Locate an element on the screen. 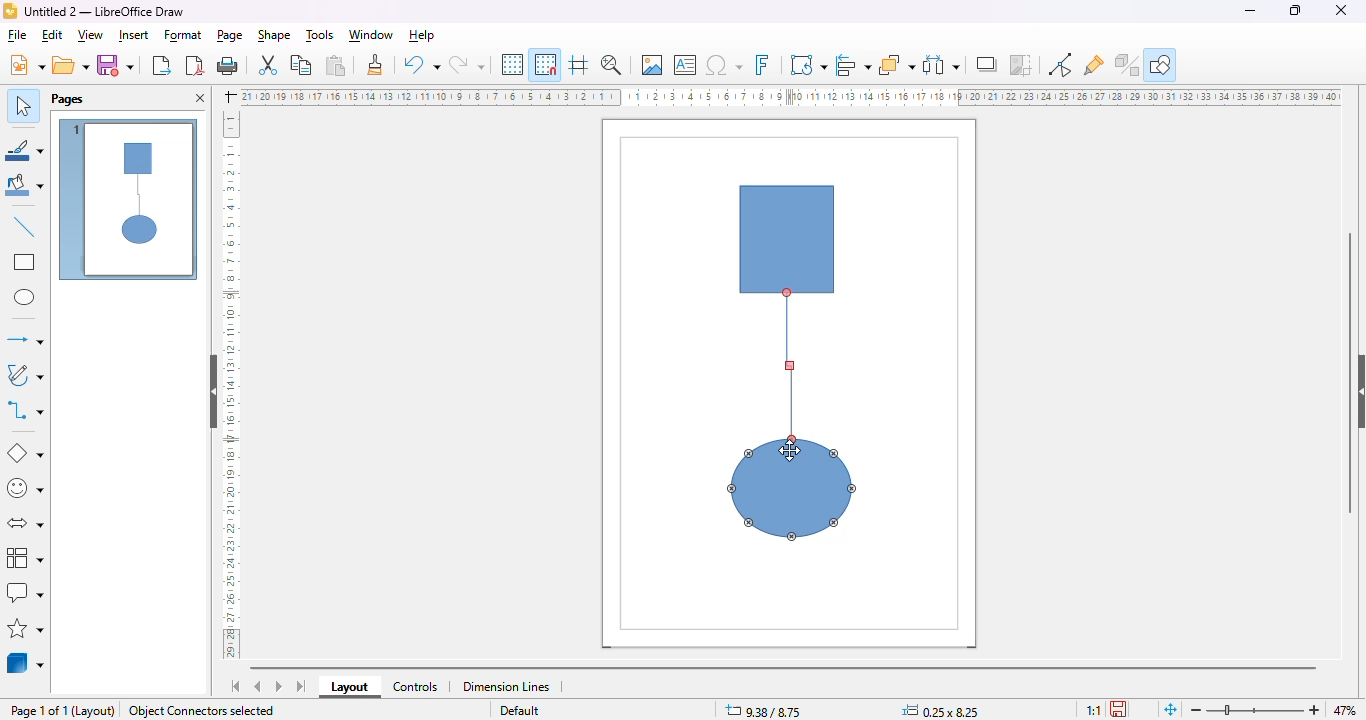 Image resolution: width=1366 pixels, height=720 pixels. insert text box is located at coordinates (685, 64).